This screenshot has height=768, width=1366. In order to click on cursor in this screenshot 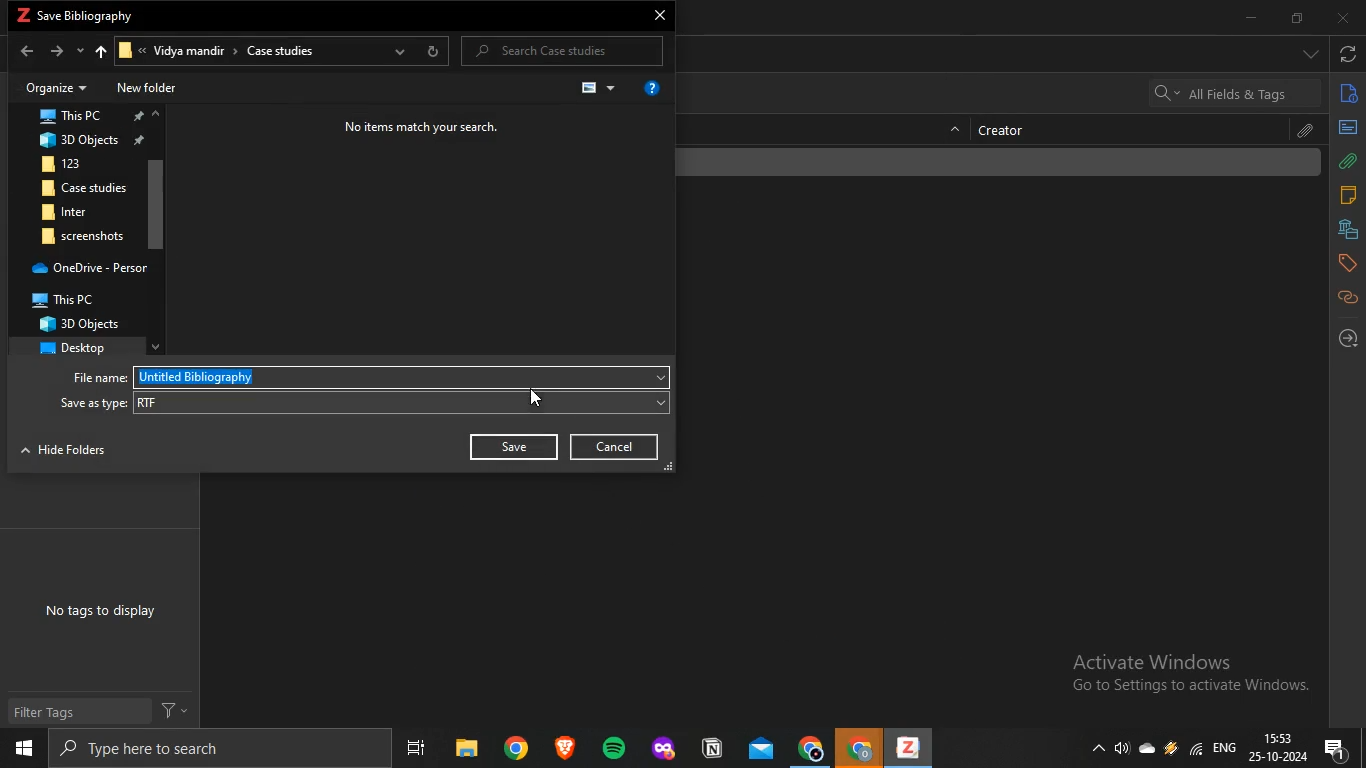, I will do `click(537, 396)`.